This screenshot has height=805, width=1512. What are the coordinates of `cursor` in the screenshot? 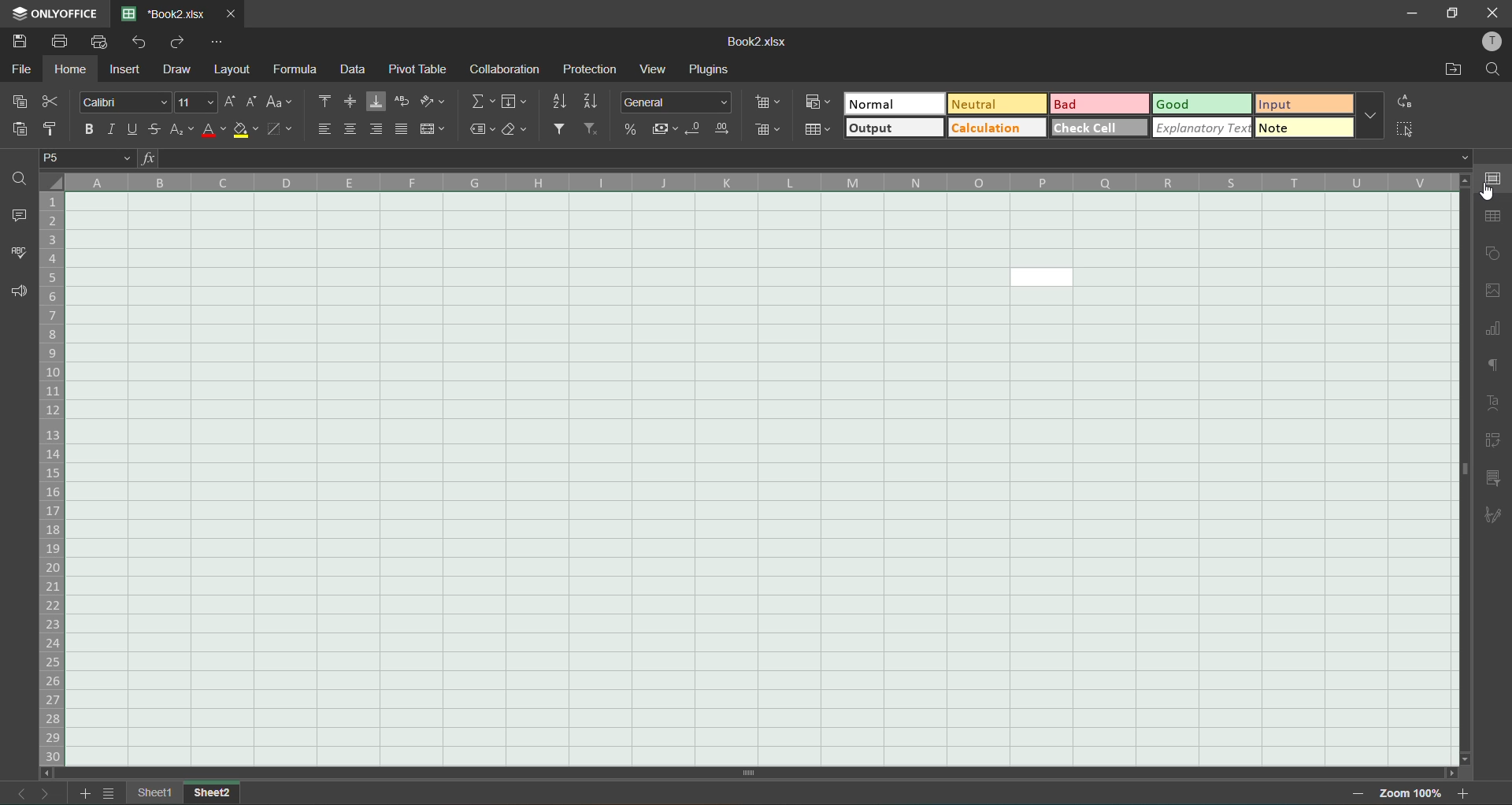 It's located at (1488, 194).